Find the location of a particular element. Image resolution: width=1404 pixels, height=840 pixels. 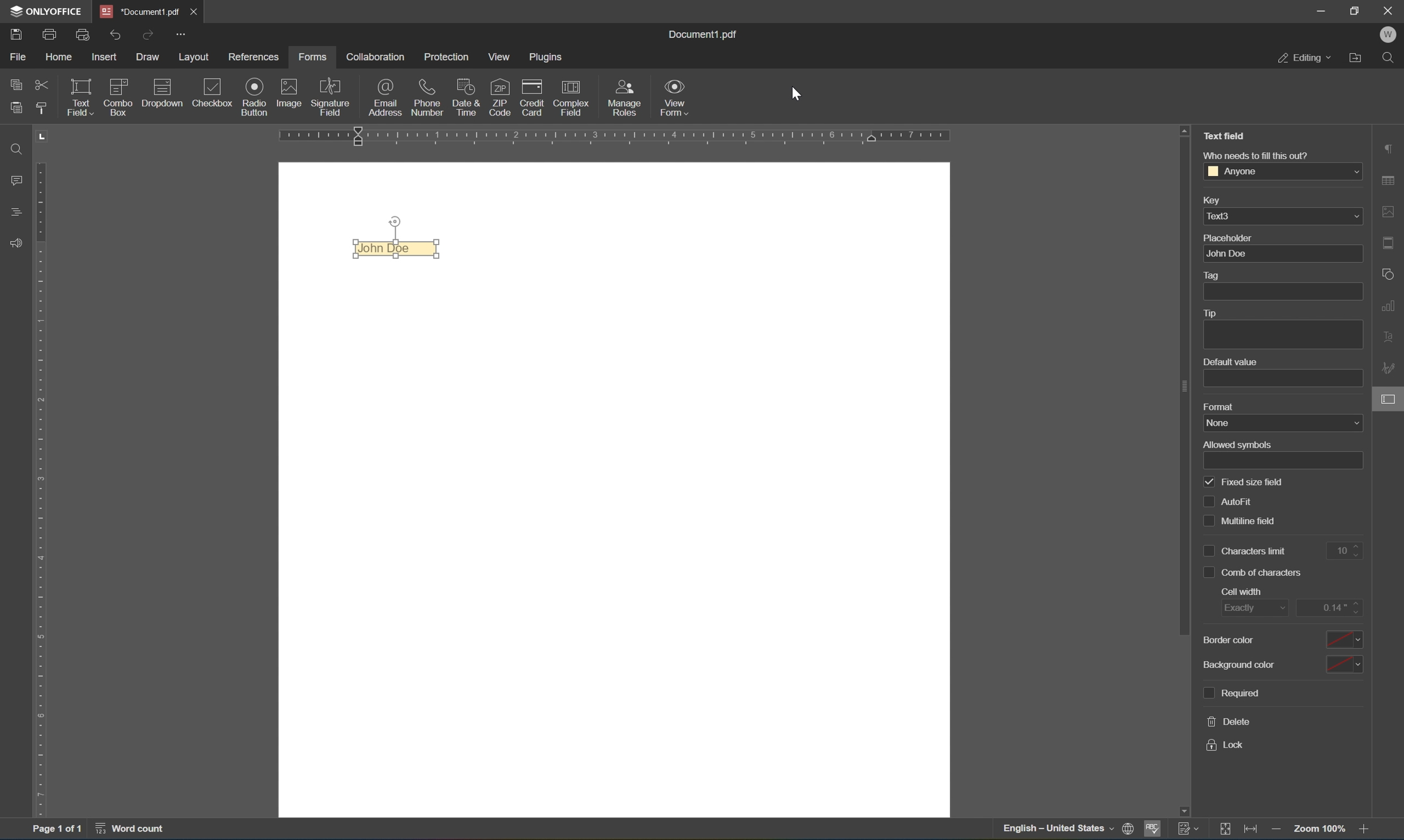

view is located at coordinates (501, 57).